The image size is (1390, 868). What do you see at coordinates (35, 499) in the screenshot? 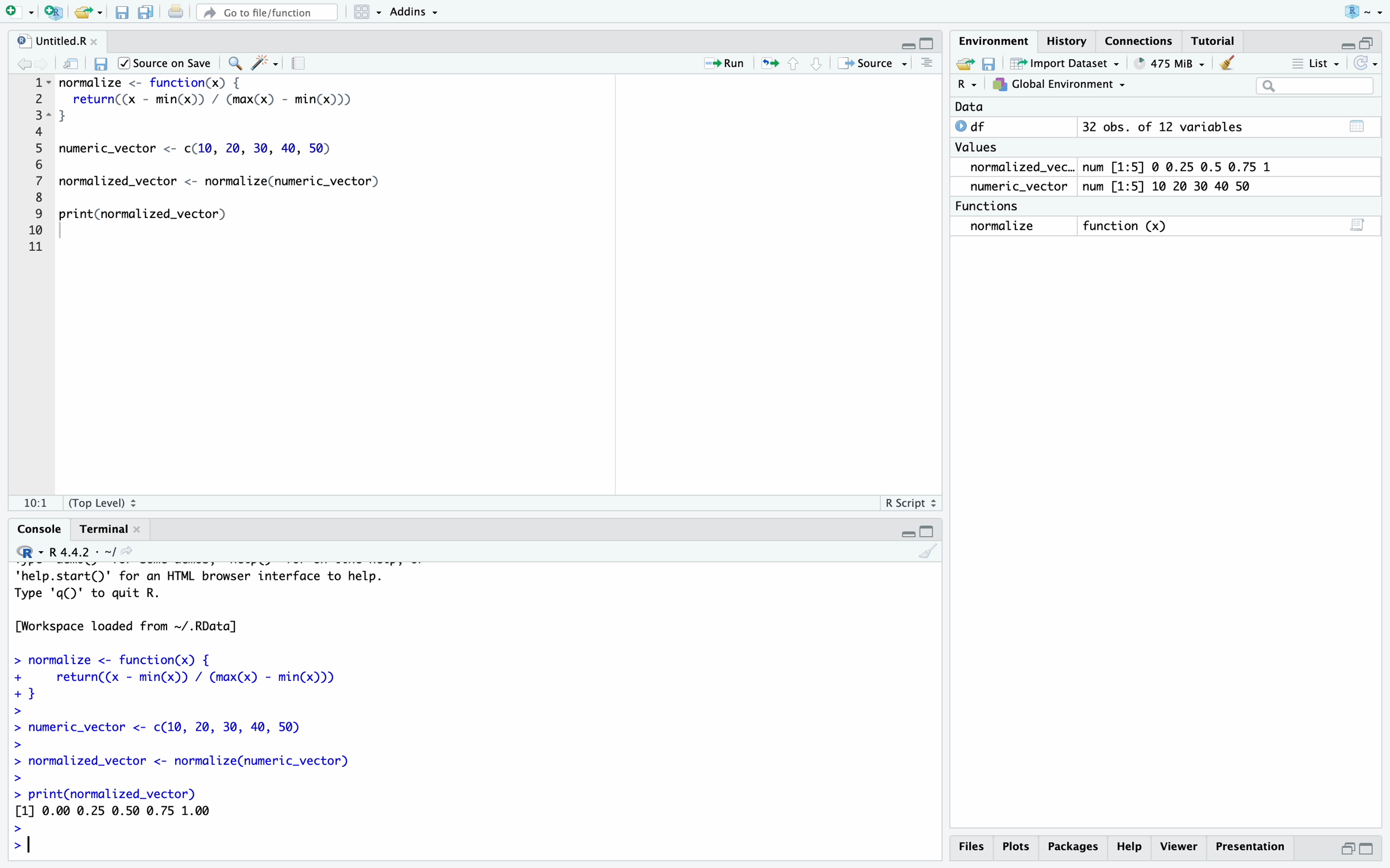
I see `10:1` at bounding box center [35, 499].